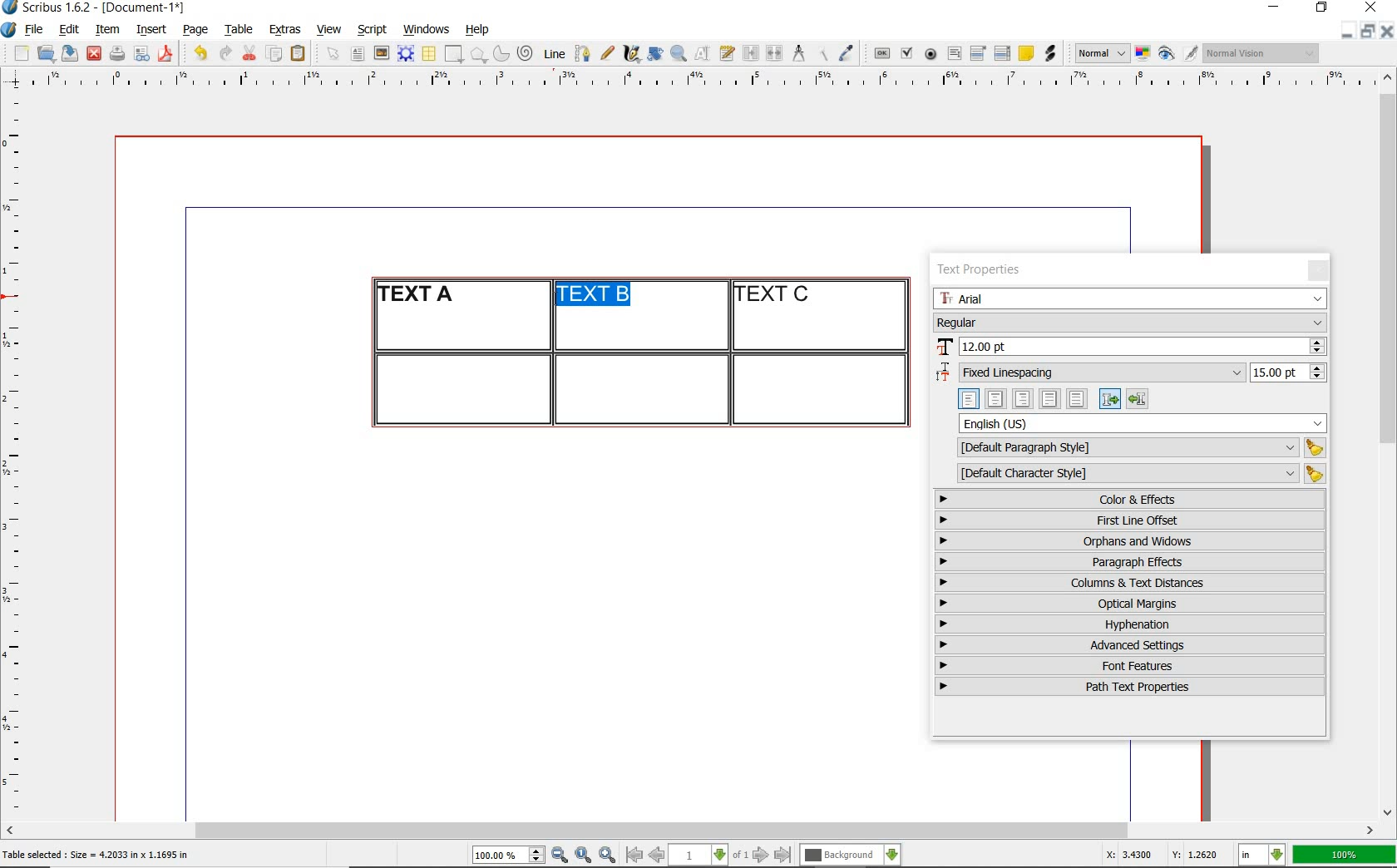  What do you see at coordinates (1348, 30) in the screenshot?
I see `minimize` at bounding box center [1348, 30].